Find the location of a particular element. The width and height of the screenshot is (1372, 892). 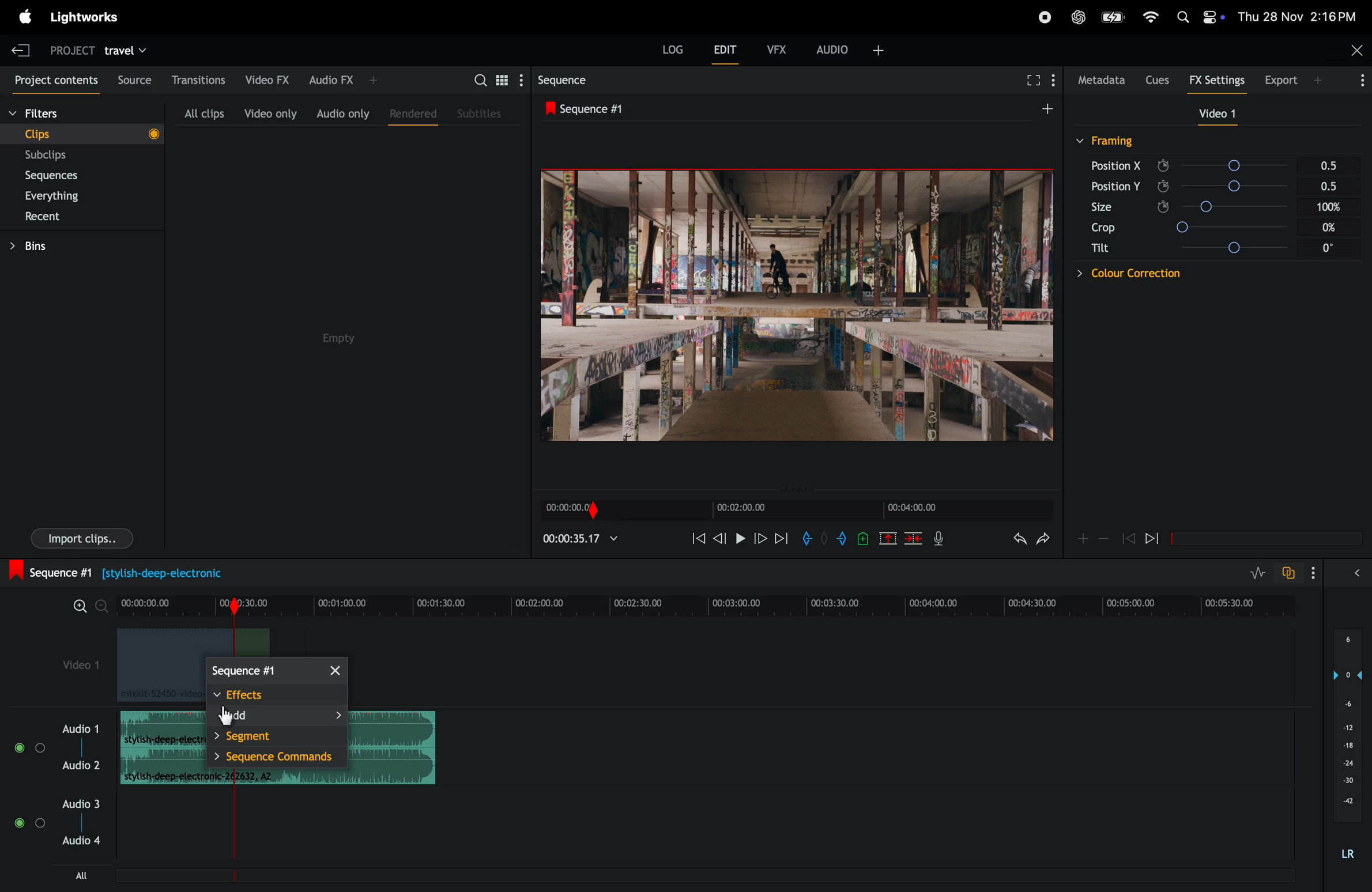

fx settings is located at coordinates (1220, 80).